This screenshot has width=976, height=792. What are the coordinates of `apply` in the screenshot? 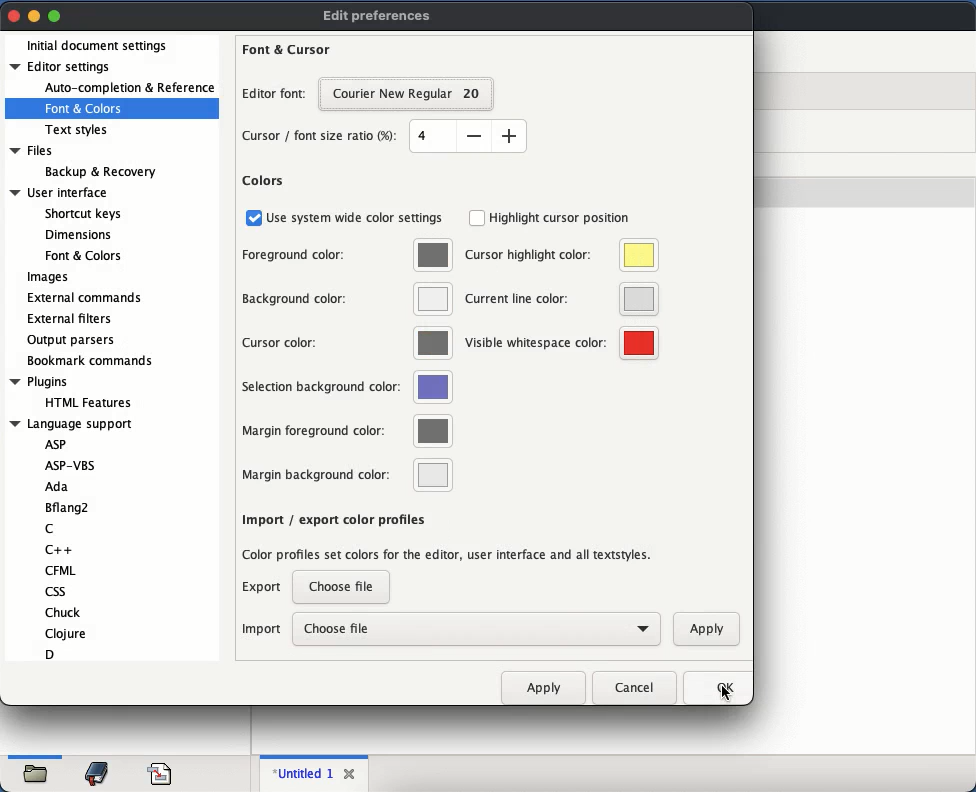 It's located at (545, 687).